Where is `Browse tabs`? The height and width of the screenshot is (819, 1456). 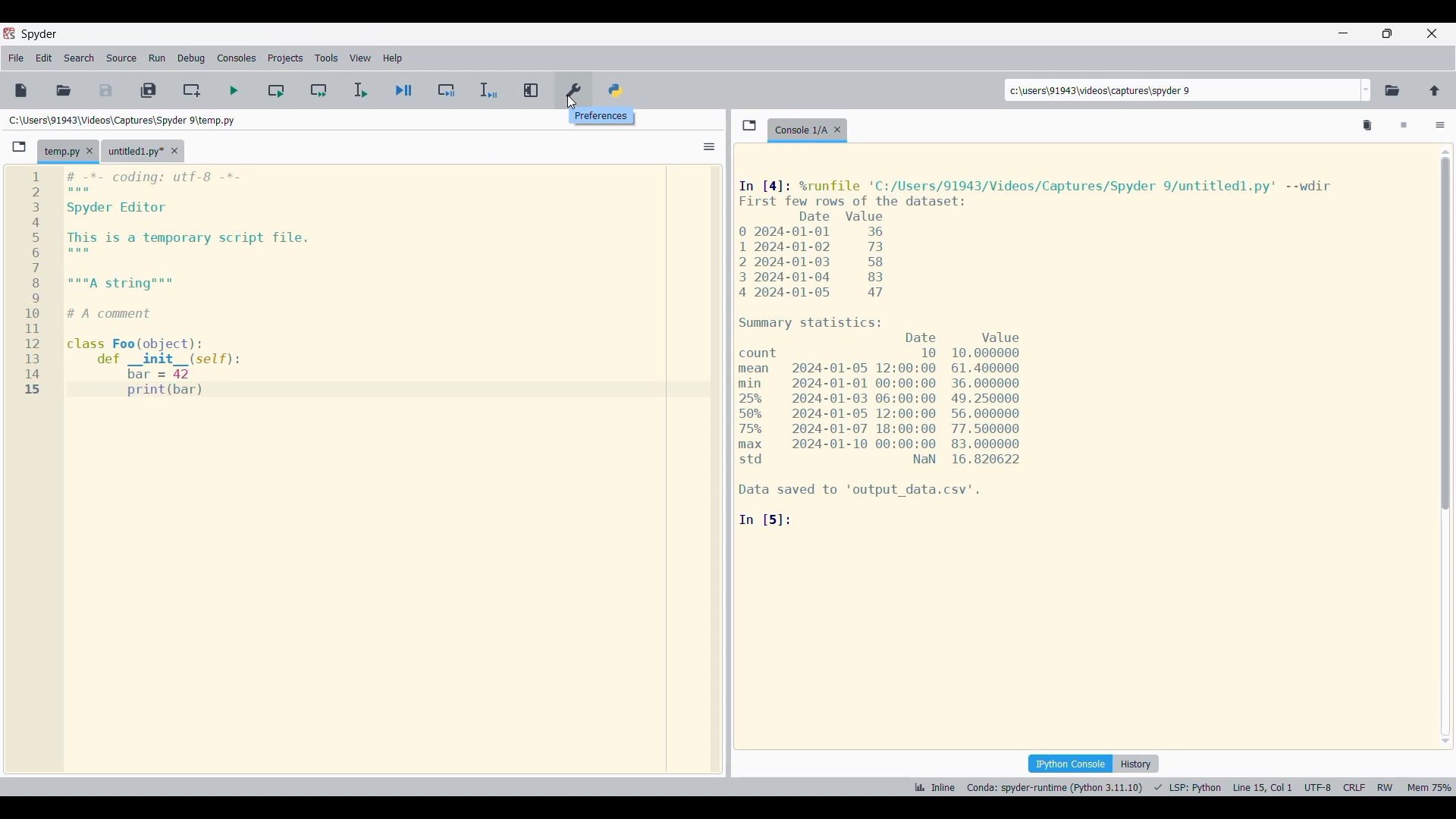 Browse tabs is located at coordinates (749, 125).